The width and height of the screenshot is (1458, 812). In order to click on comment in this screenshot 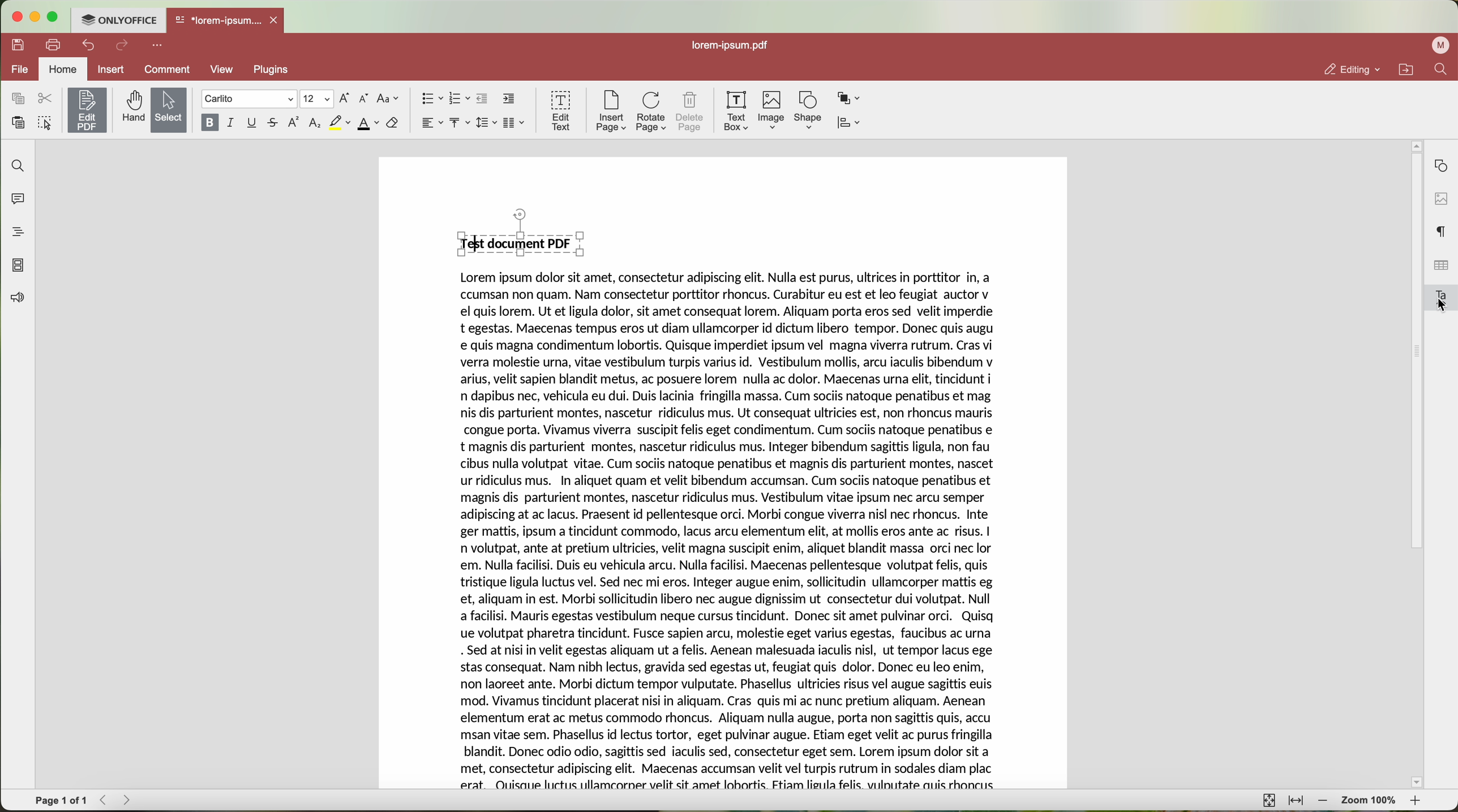, I will do `click(164, 70)`.